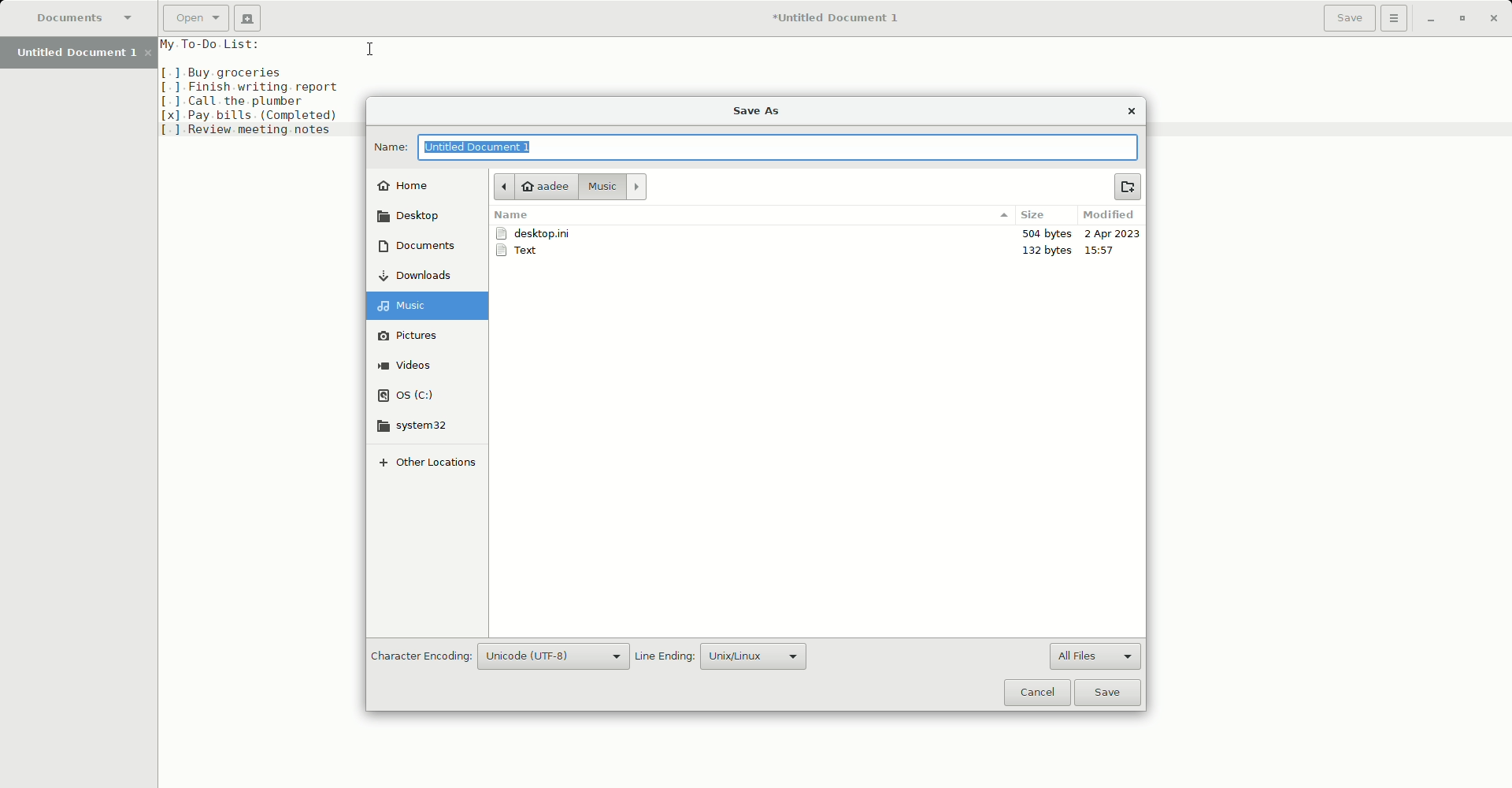 This screenshot has height=788, width=1512. What do you see at coordinates (1002, 215) in the screenshot?
I see `Filter` at bounding box center [1002, 215].